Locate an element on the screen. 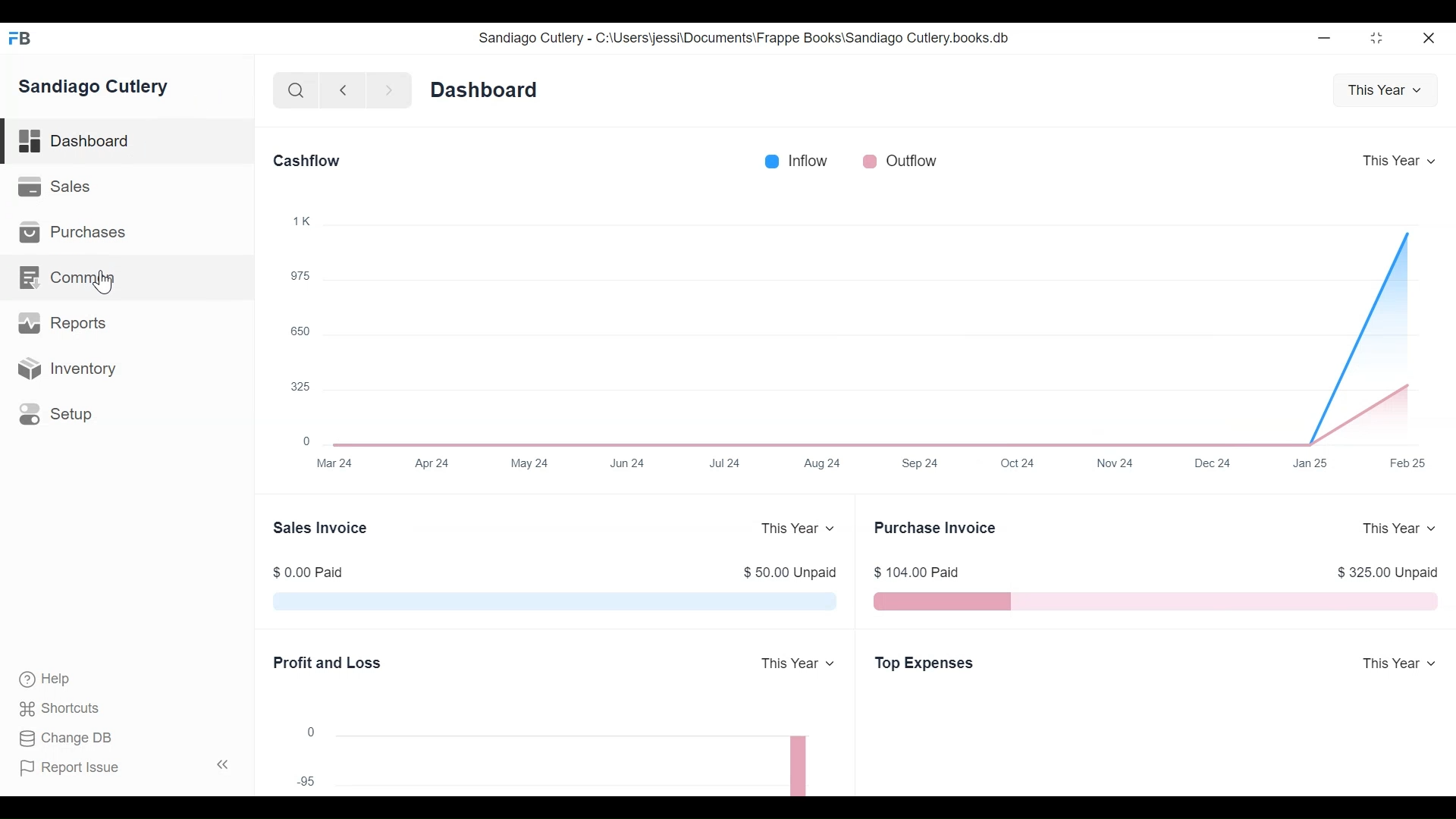  This Year is located at coordinates (1397, 529).